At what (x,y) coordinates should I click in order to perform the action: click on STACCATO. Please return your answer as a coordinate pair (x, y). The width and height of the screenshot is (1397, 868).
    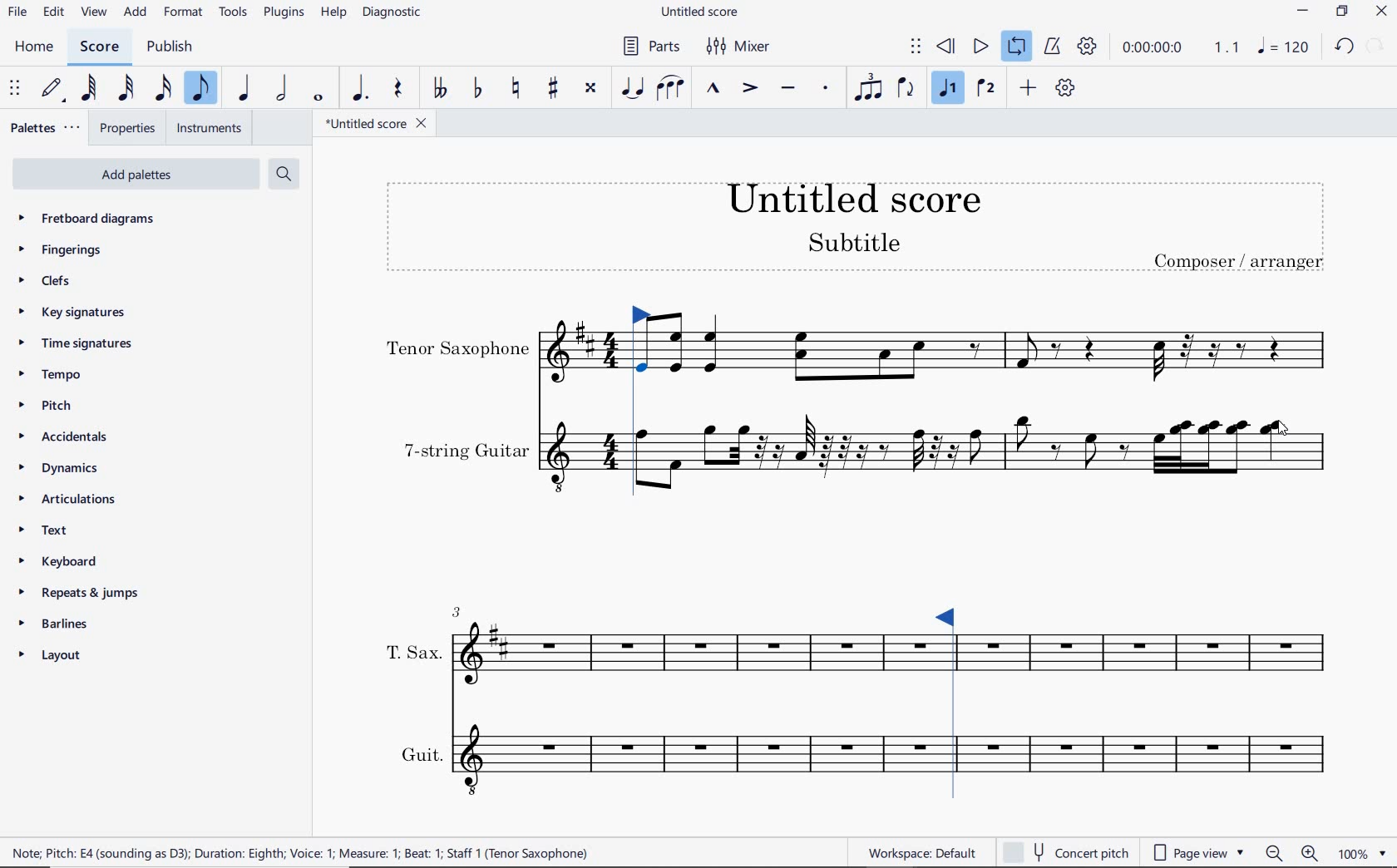
    Looking at the image, I should click on (825, 88).